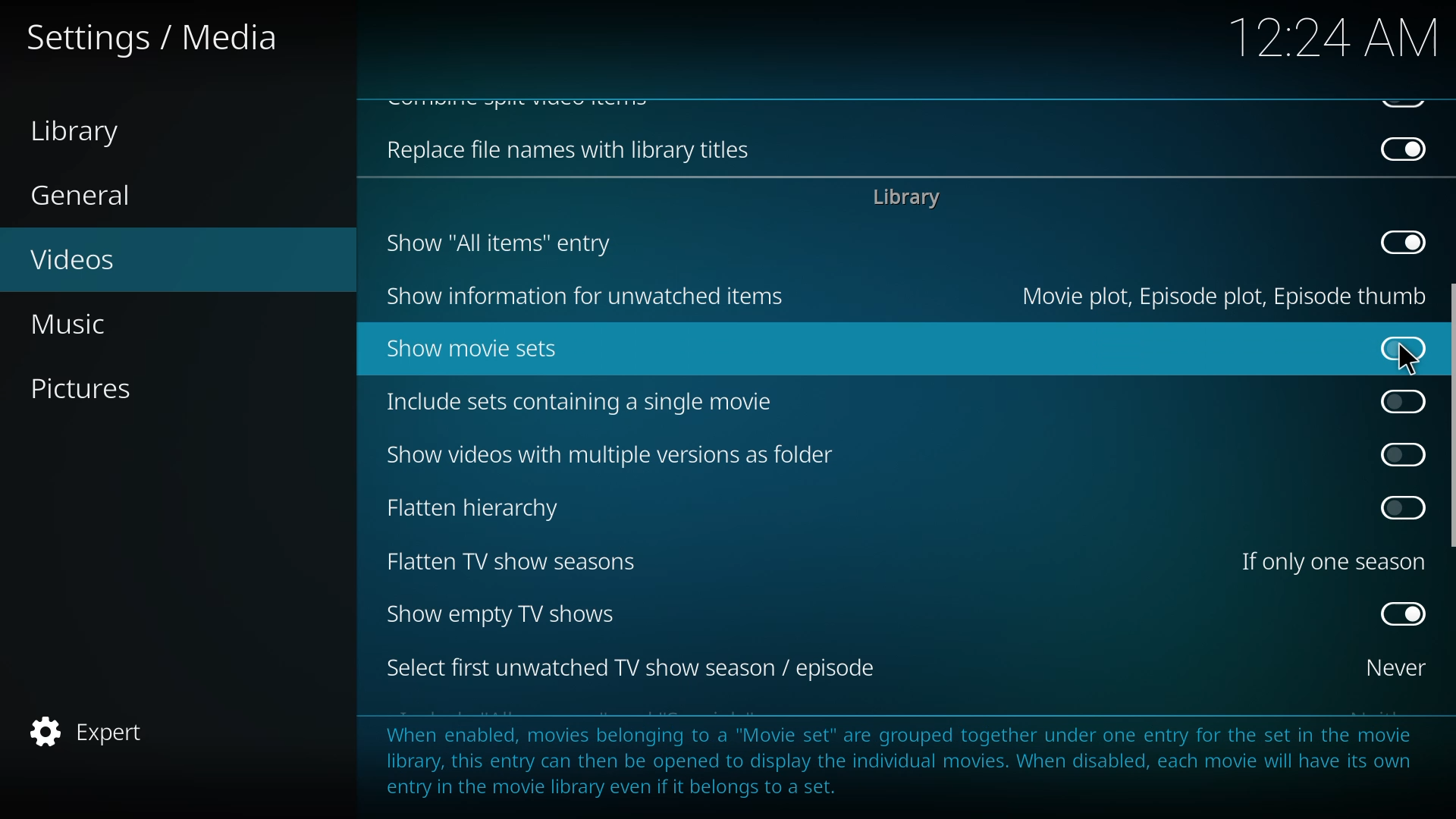  Describe the element at coordinates (1398, 451) in the screenshot. I see `click to enable` at that location.